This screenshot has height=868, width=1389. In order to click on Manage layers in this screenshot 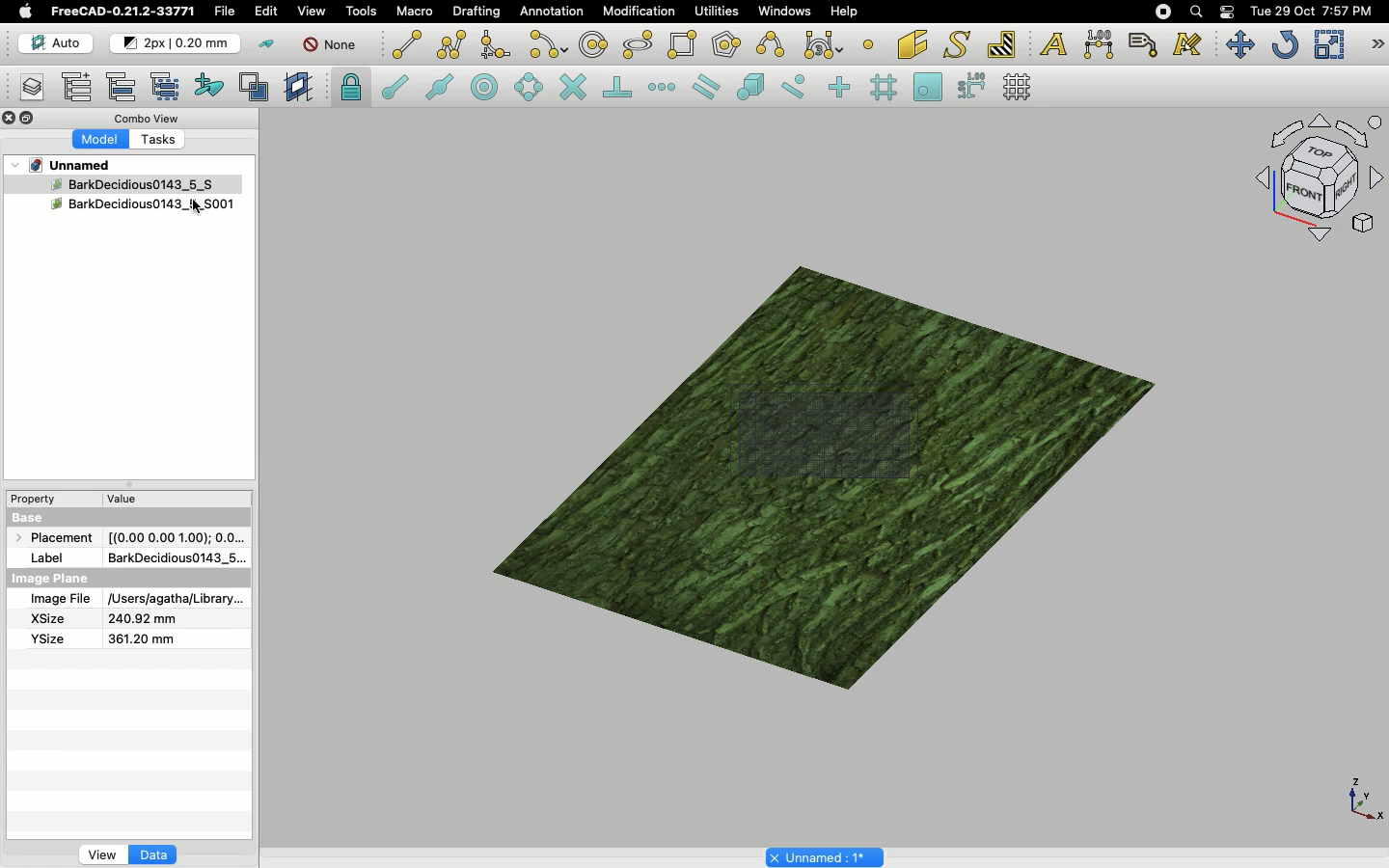, I will do `click(25, 89)`.